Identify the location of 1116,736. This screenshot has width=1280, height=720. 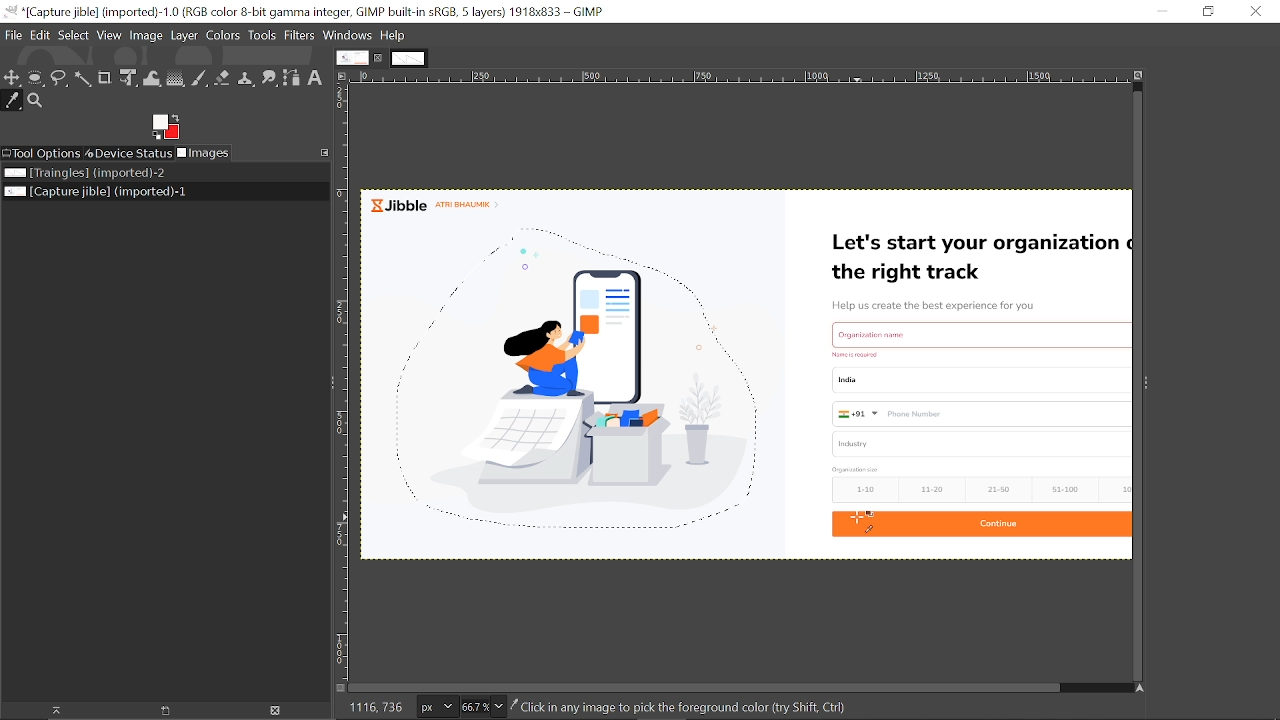
(374, 707).